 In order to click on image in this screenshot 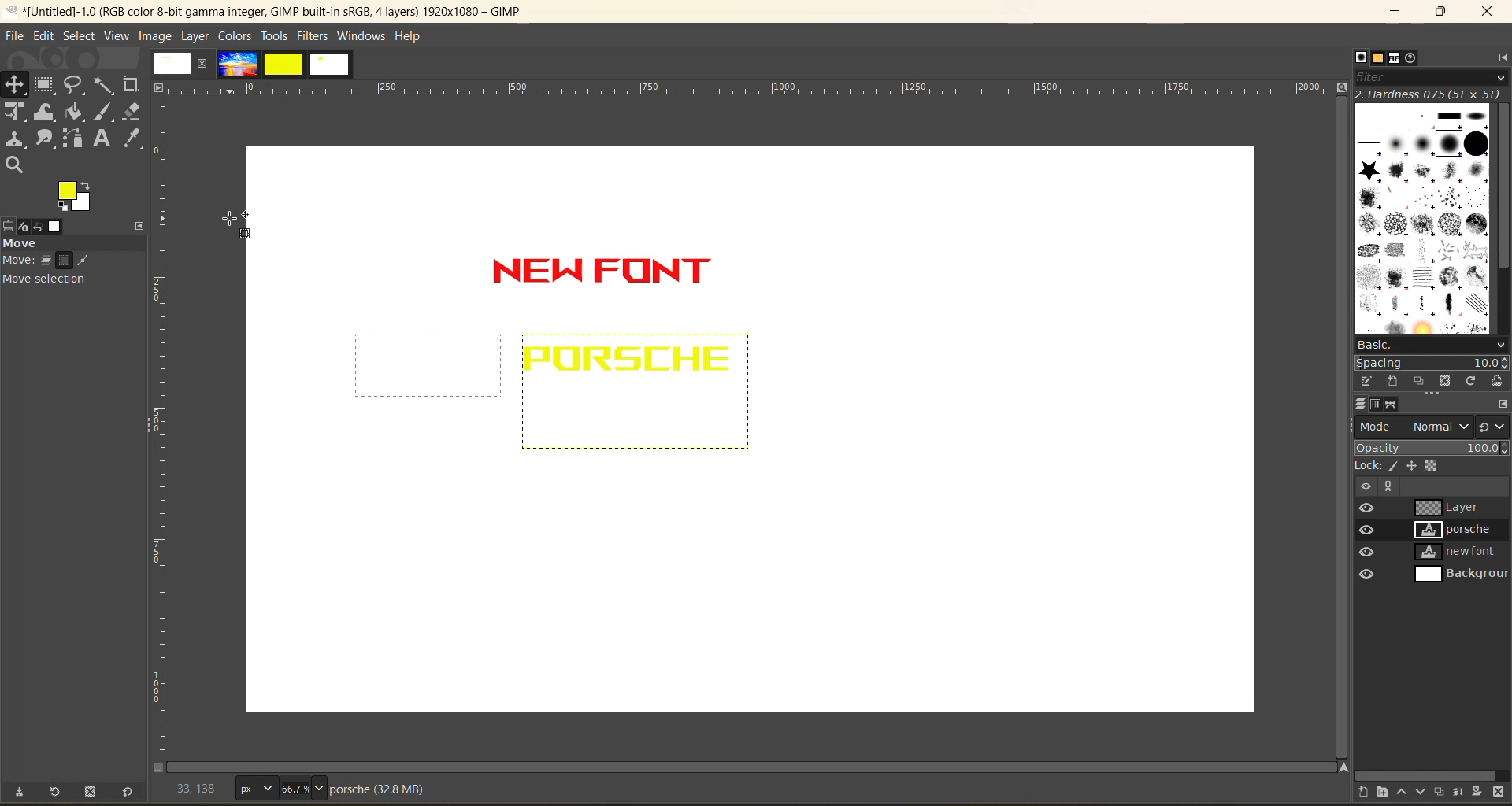, I will do `click(55, 227)`.